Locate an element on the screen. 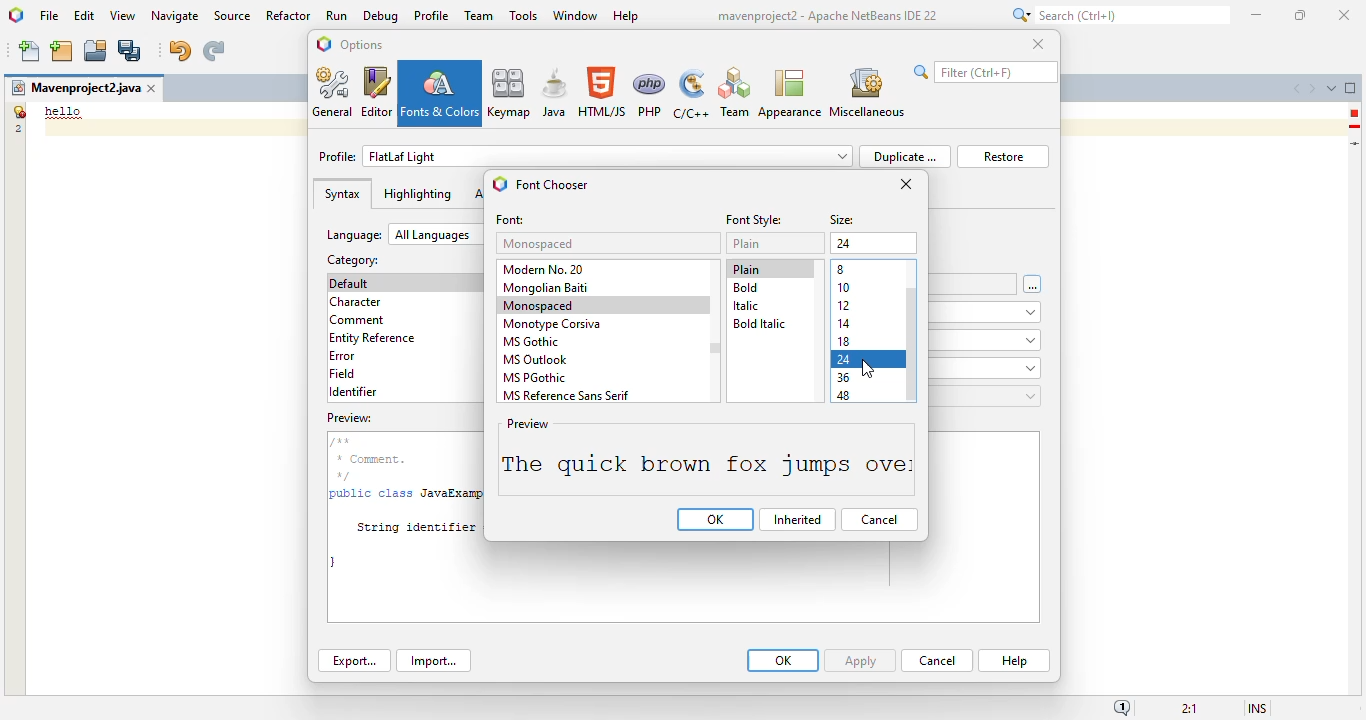 The width and height of the screenshot is (1366, 720). PHP is located at coordinates (650, 94).